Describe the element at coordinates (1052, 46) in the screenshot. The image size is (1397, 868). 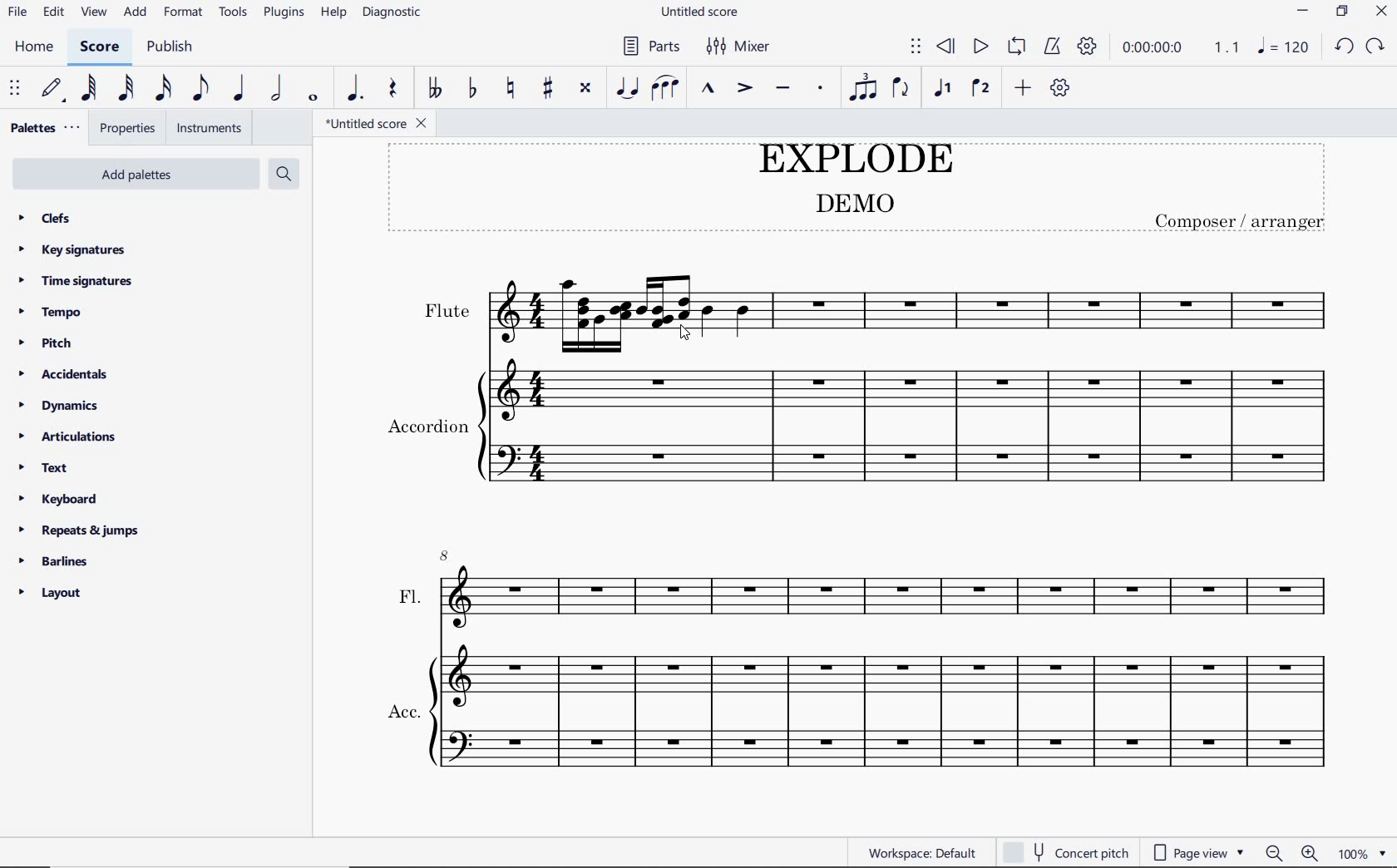
I see `metronome` at that location.